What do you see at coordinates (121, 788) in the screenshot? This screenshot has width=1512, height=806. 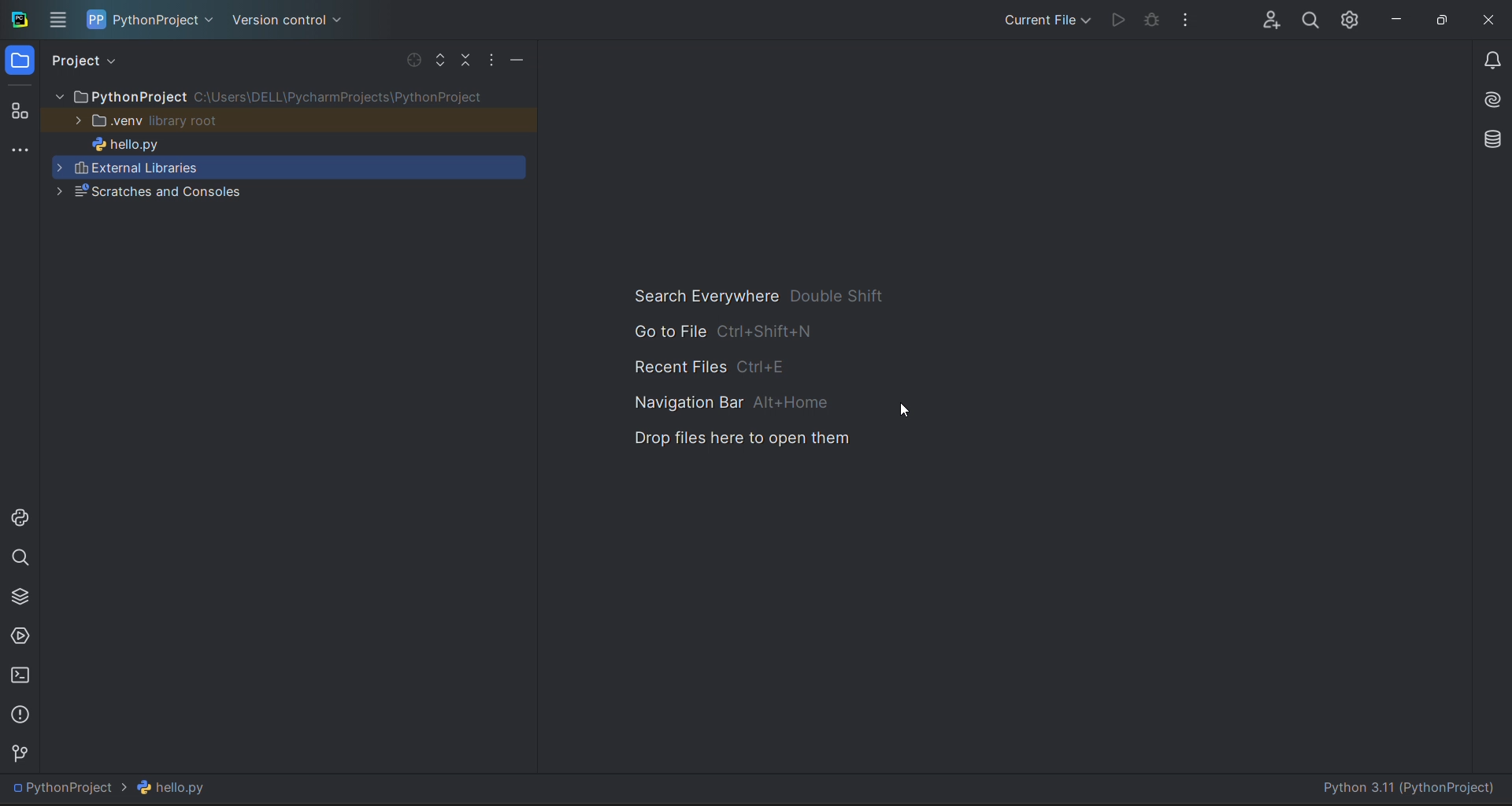 I see `PythonProject > hello.py` at bounding box center [121, 788].